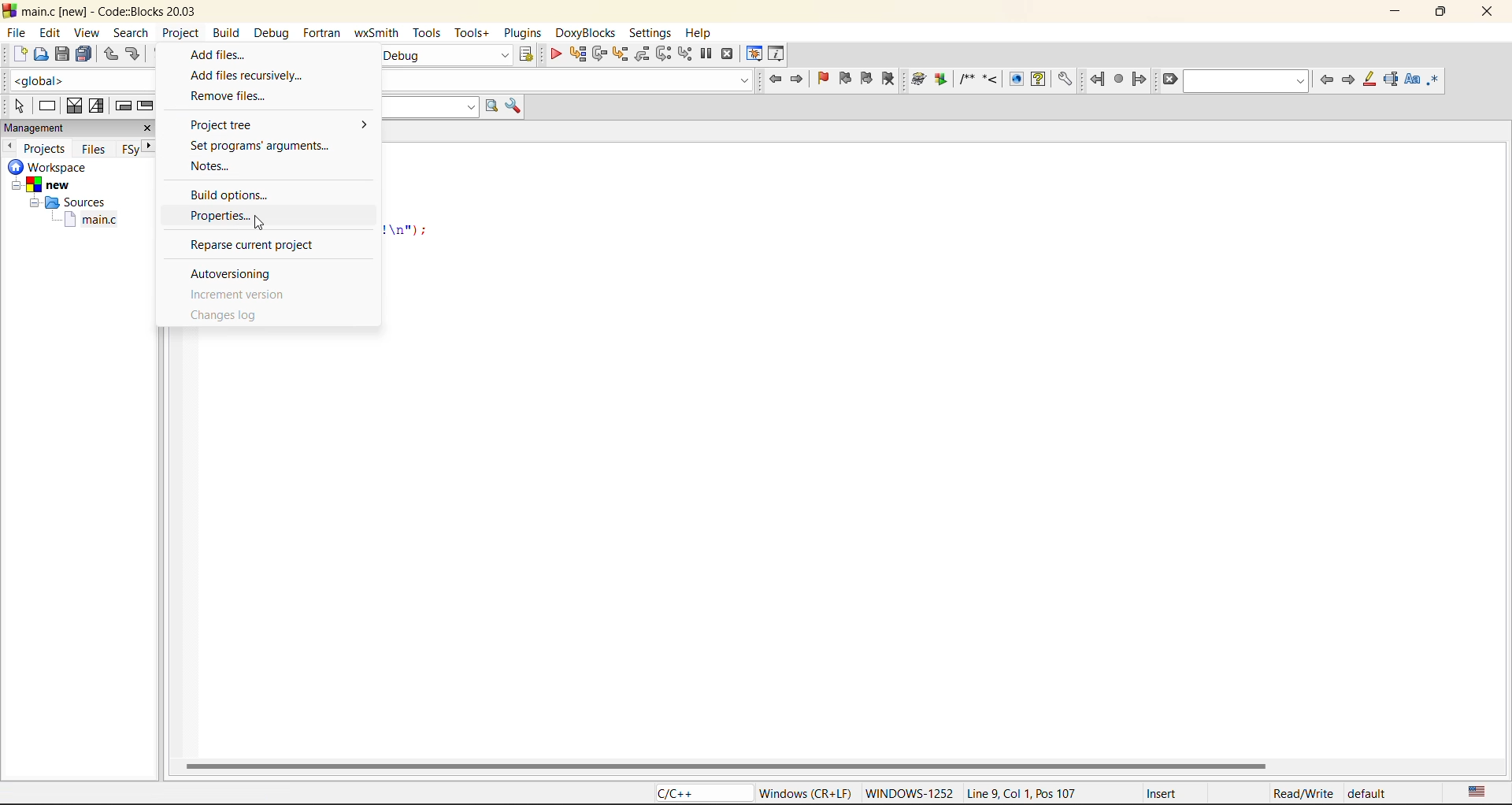 This screenshot has width=1512, height=805. Describe the element at coordinates (126, 12) in the screenshot. I see `main.c [new] - Code::Blocks 20.03` at that location.